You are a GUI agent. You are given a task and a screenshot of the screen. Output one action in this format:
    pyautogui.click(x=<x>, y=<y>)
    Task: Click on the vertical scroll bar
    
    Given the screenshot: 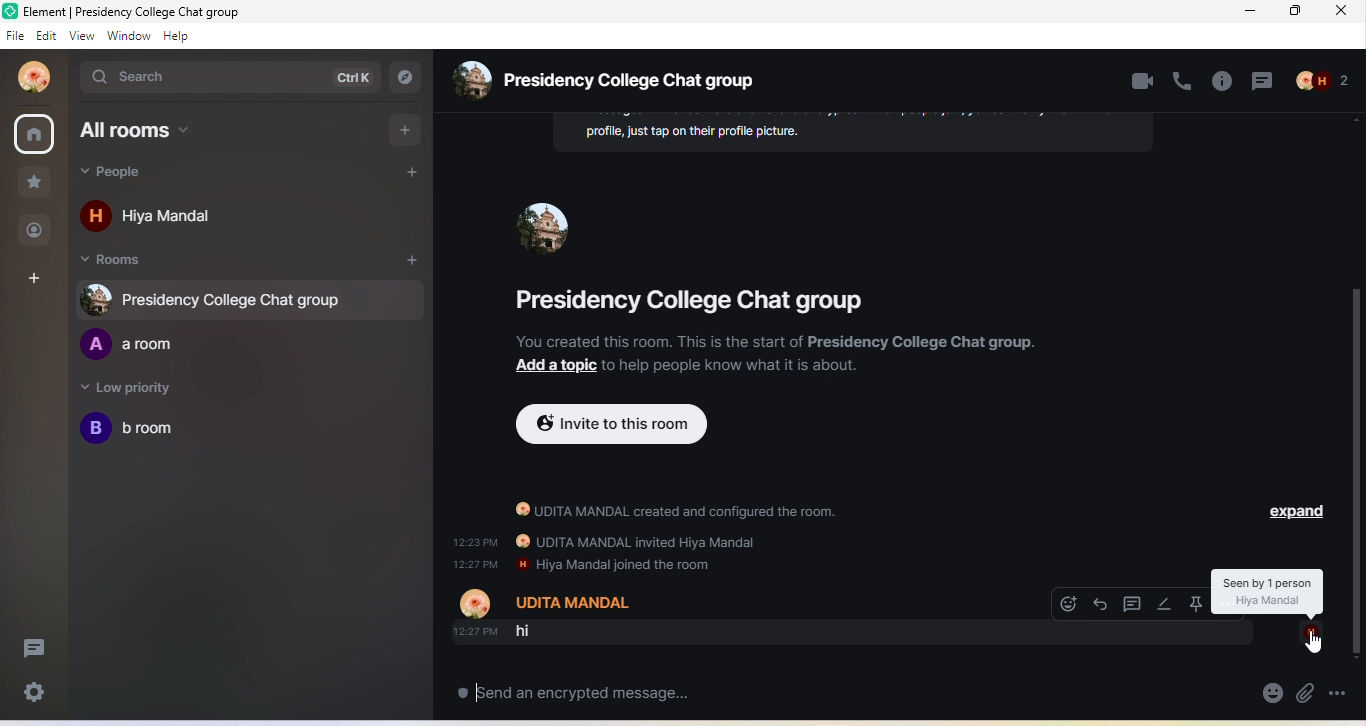 What is the action you would take?
    pyautogui.click(x=1357, y=472)
    